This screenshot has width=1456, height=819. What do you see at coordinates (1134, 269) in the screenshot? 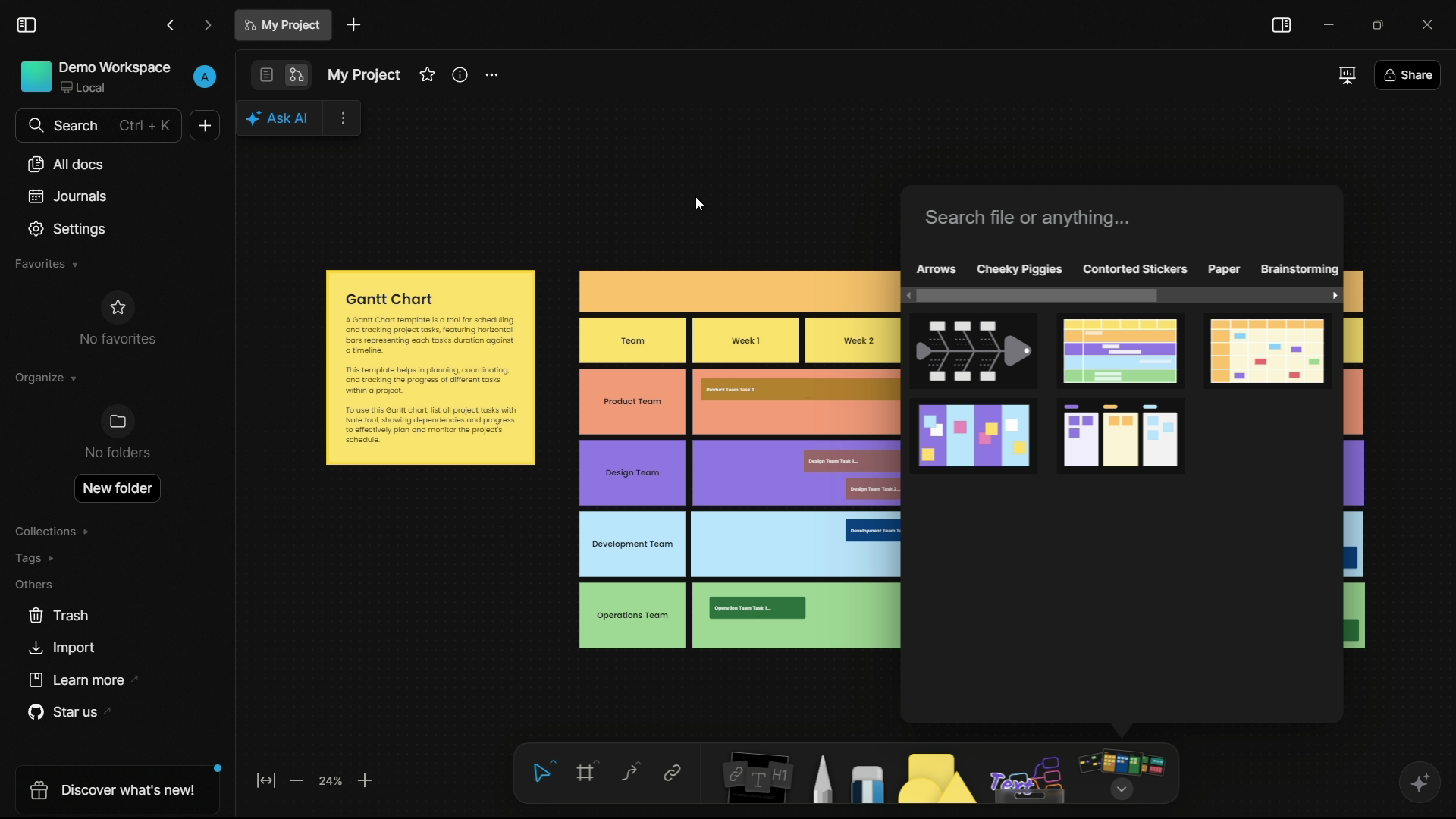
I see `Contorted Stickers` at bounding box center [1134, 269].